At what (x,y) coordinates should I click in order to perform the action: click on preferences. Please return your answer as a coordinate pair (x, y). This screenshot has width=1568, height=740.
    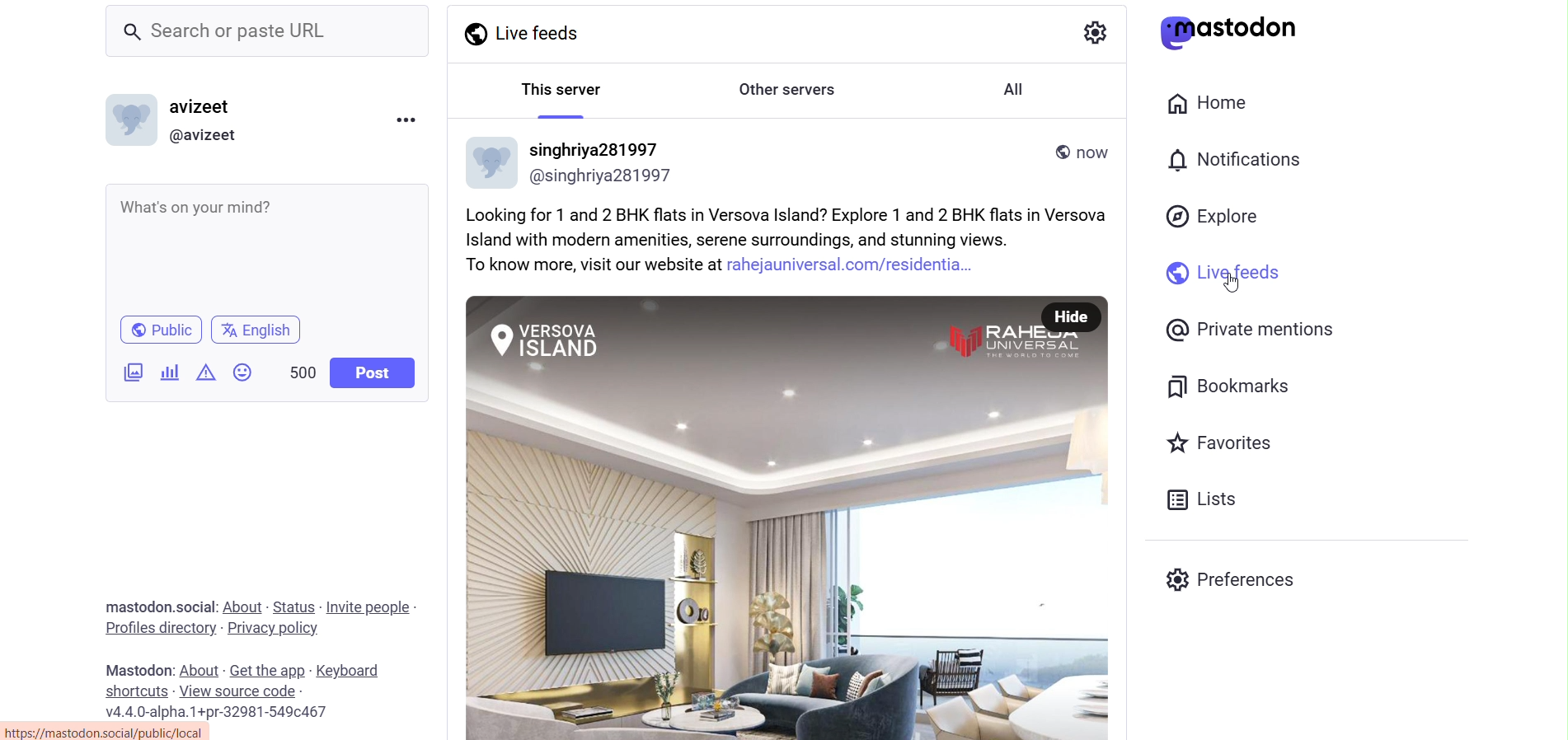
    Looking at the image, I should click on (1237, 583).